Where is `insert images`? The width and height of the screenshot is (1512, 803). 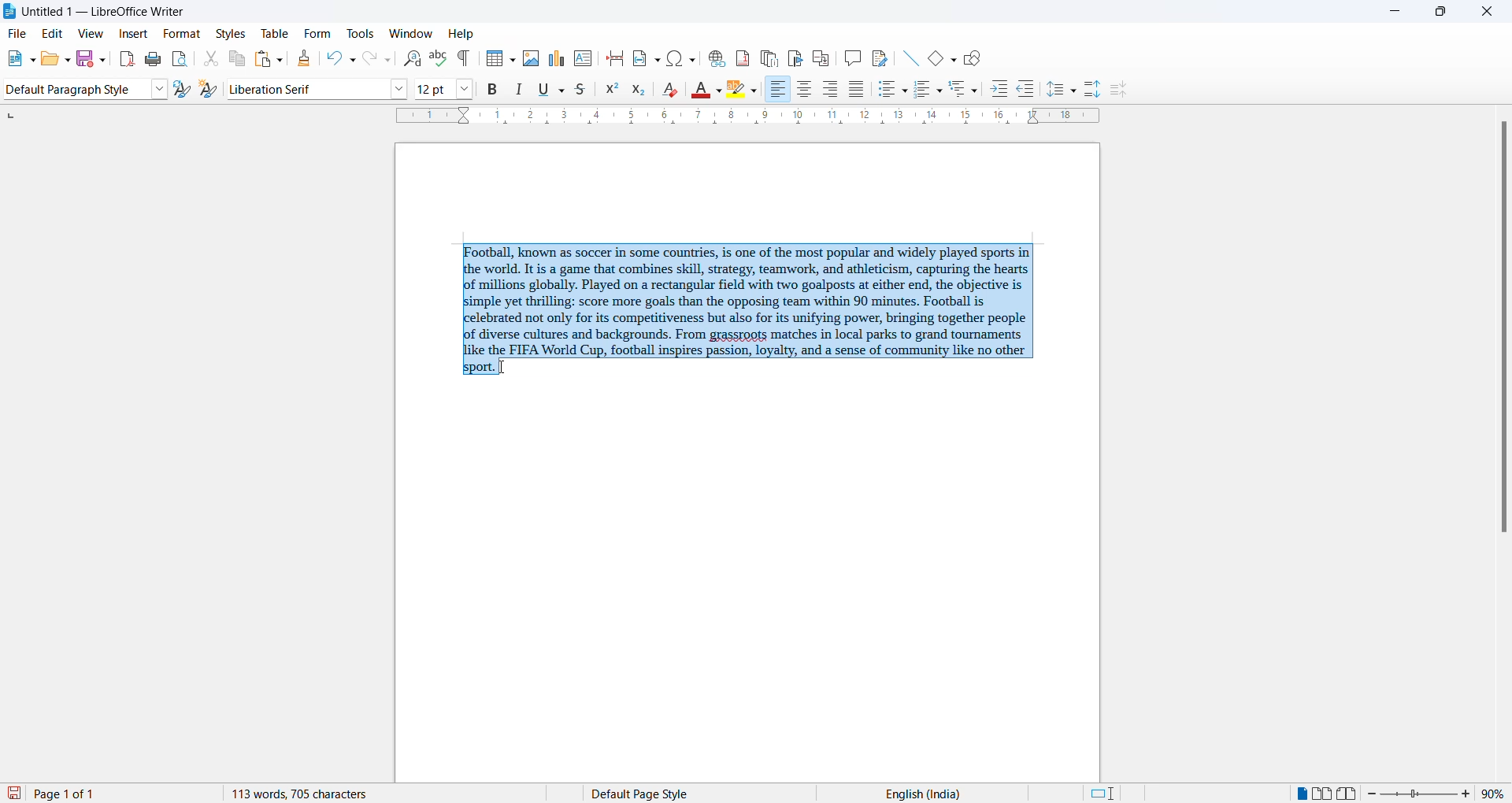
insert images is located at coordinates (533, 60).